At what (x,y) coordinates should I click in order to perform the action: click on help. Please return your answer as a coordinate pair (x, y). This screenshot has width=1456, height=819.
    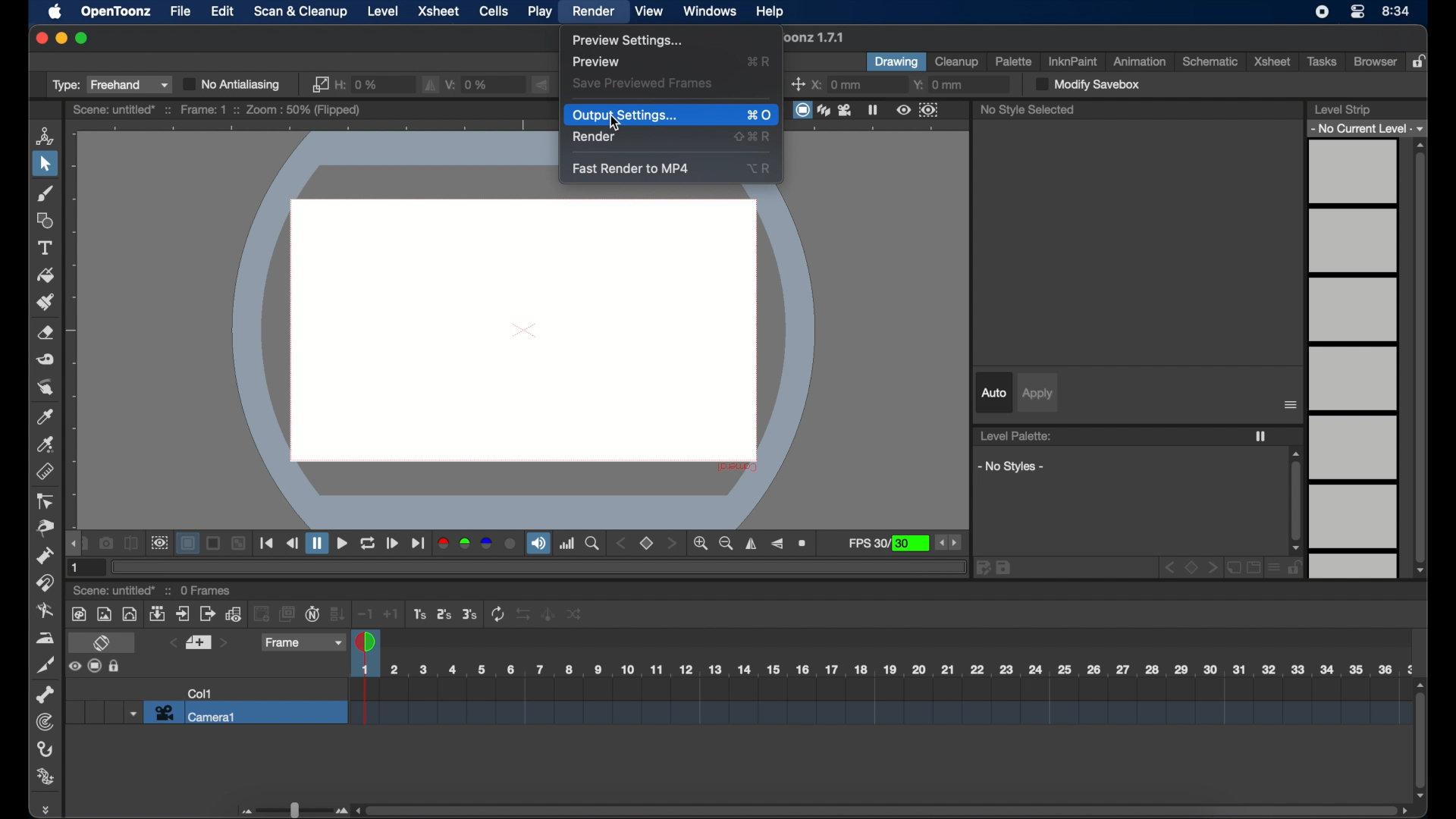
    Looking at the image, I should click on (770, 12).